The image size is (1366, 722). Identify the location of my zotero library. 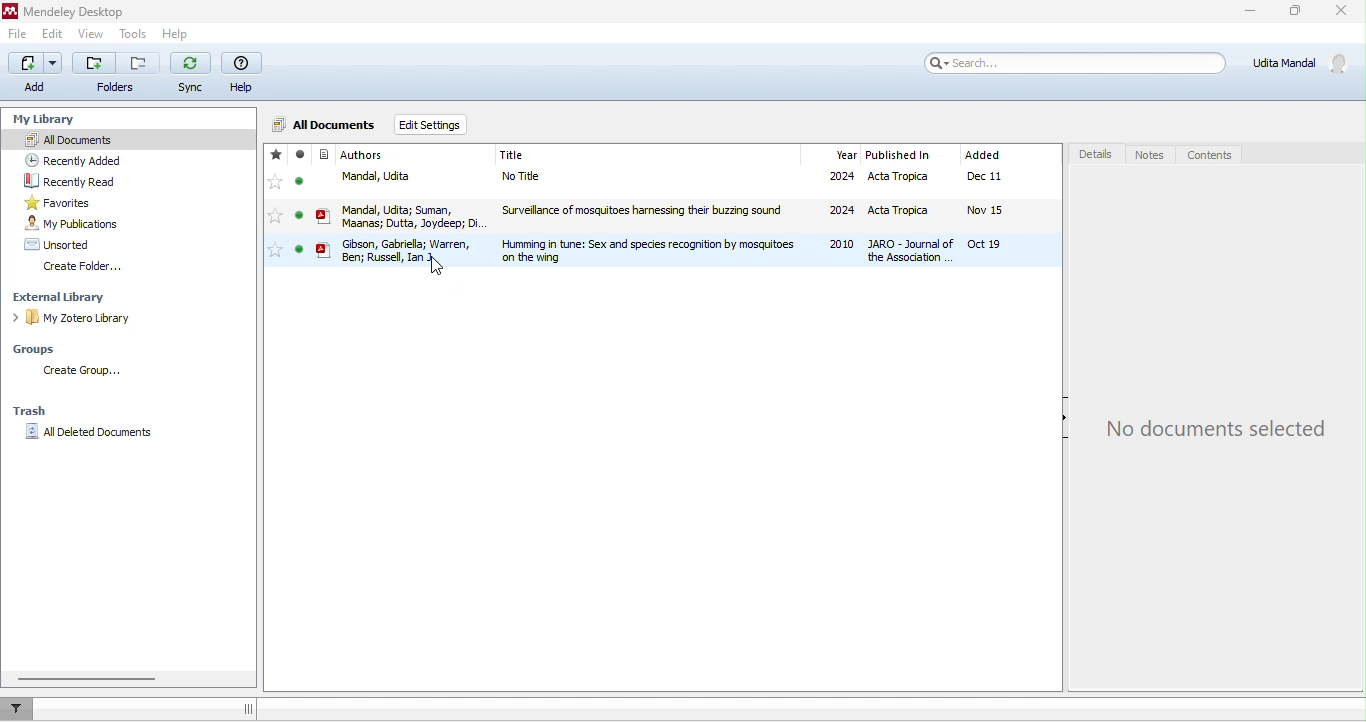
(74, 318).